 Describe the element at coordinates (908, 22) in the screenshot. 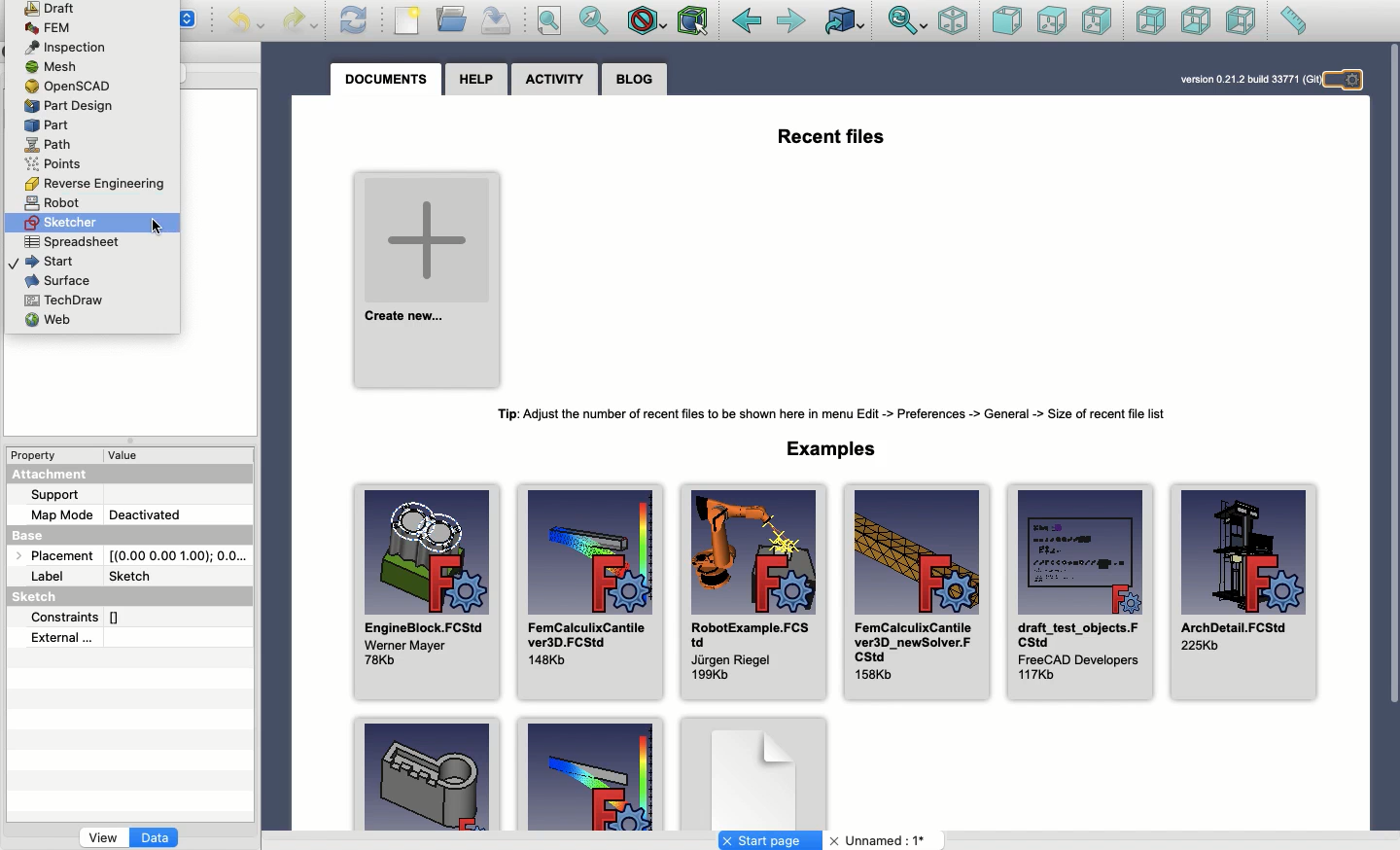

I see `Sync view` at that location.